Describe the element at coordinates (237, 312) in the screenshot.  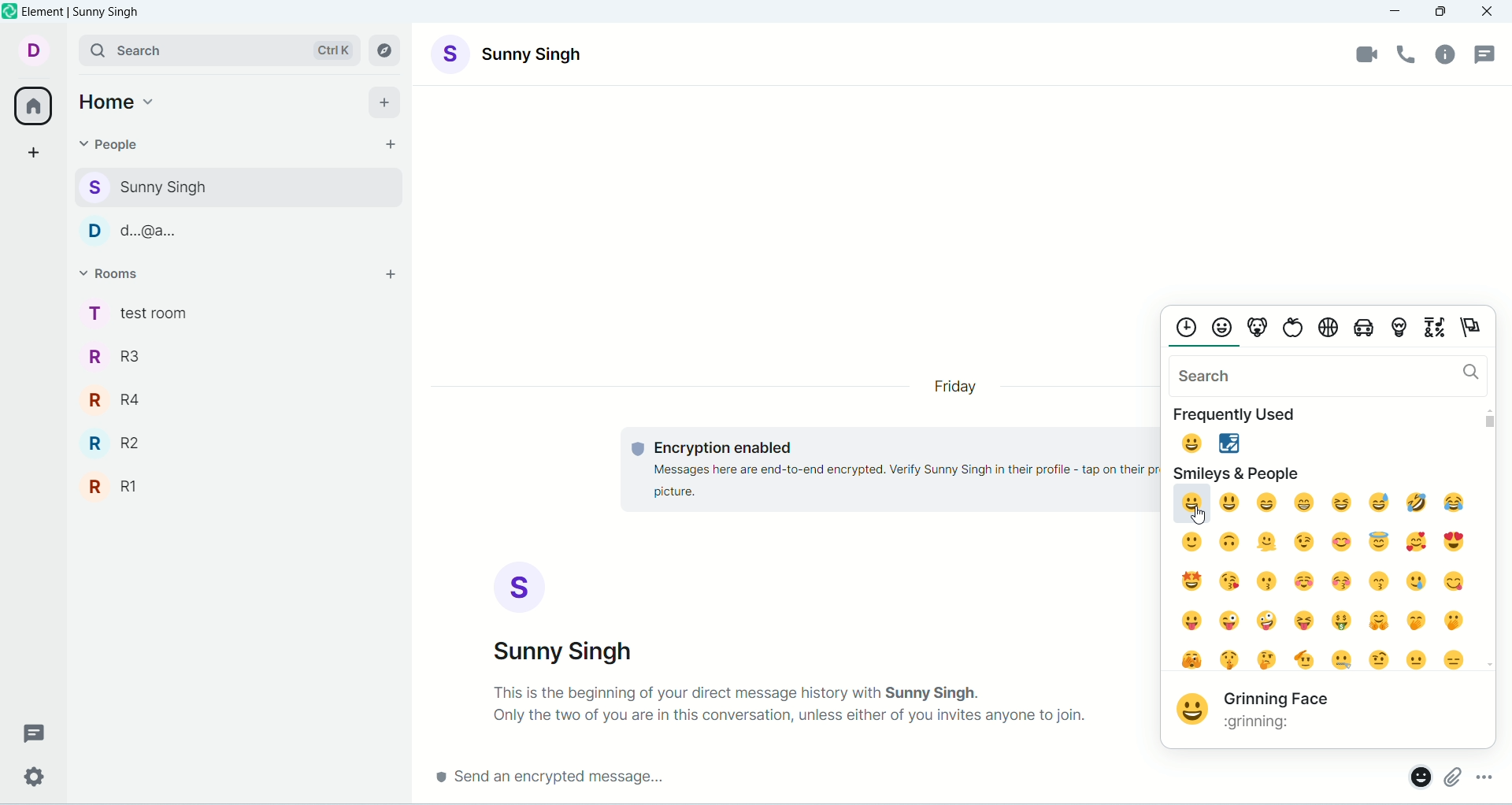
I see `test room` at that location.